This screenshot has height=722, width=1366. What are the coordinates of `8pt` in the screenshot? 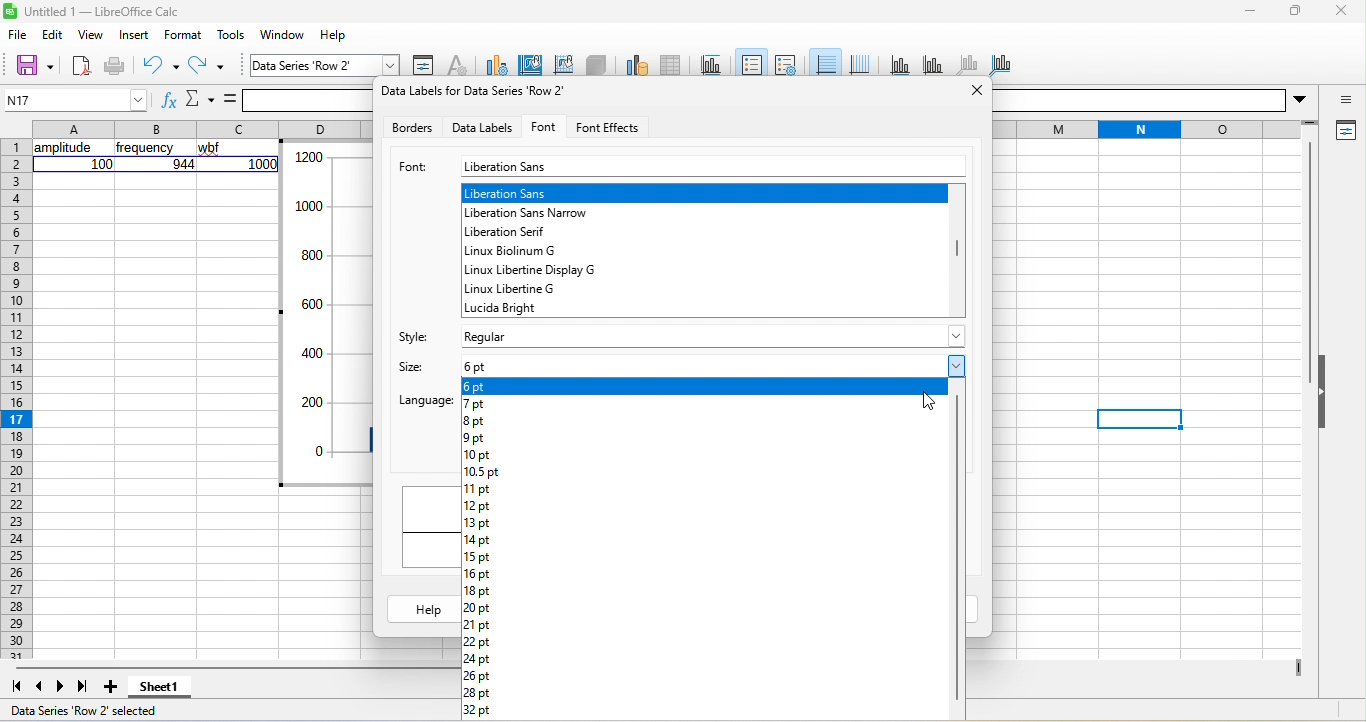 It's located at (478, 422).